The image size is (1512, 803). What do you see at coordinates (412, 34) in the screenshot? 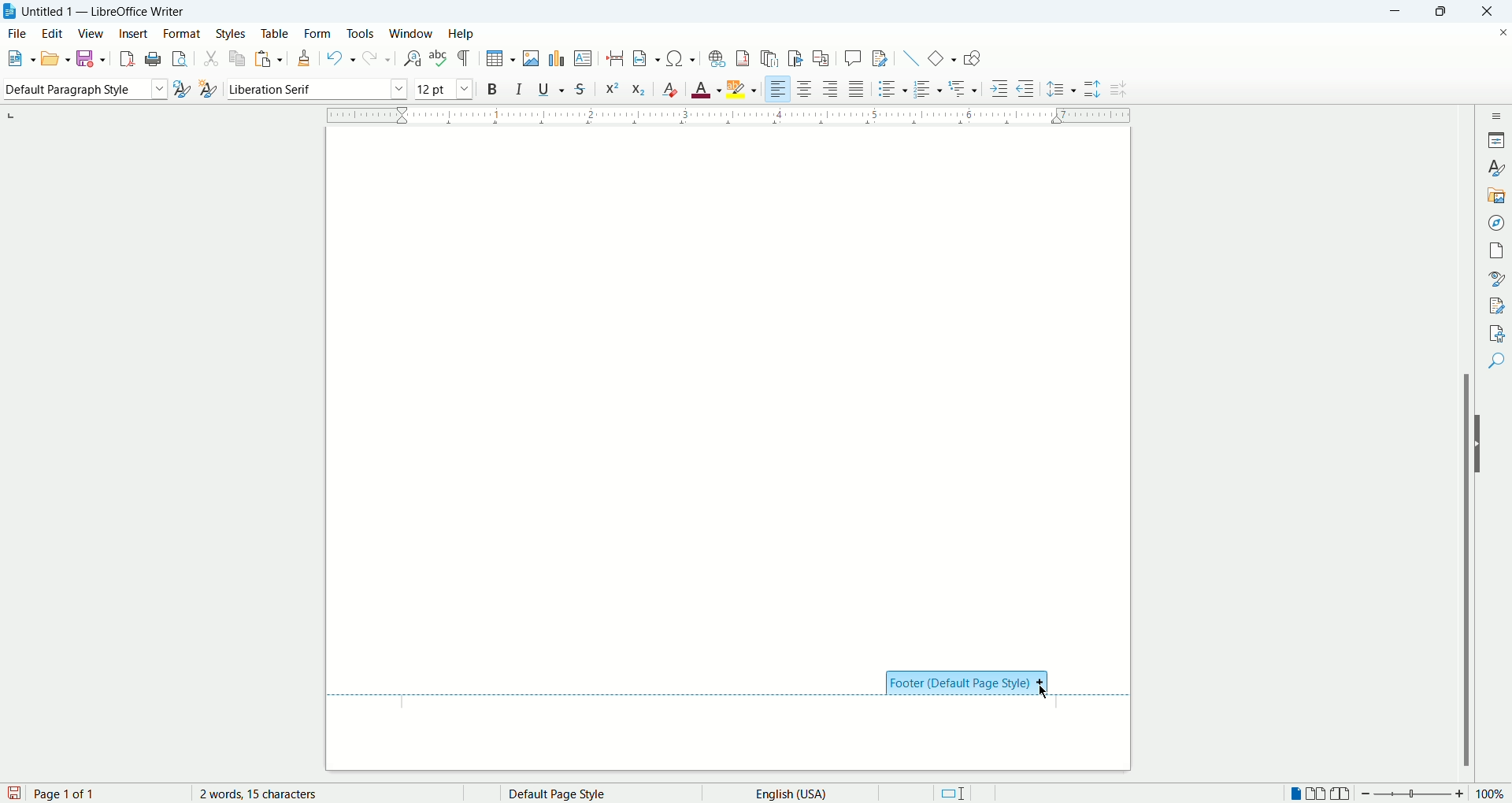
I see `window` at bounding box center [412, 34].